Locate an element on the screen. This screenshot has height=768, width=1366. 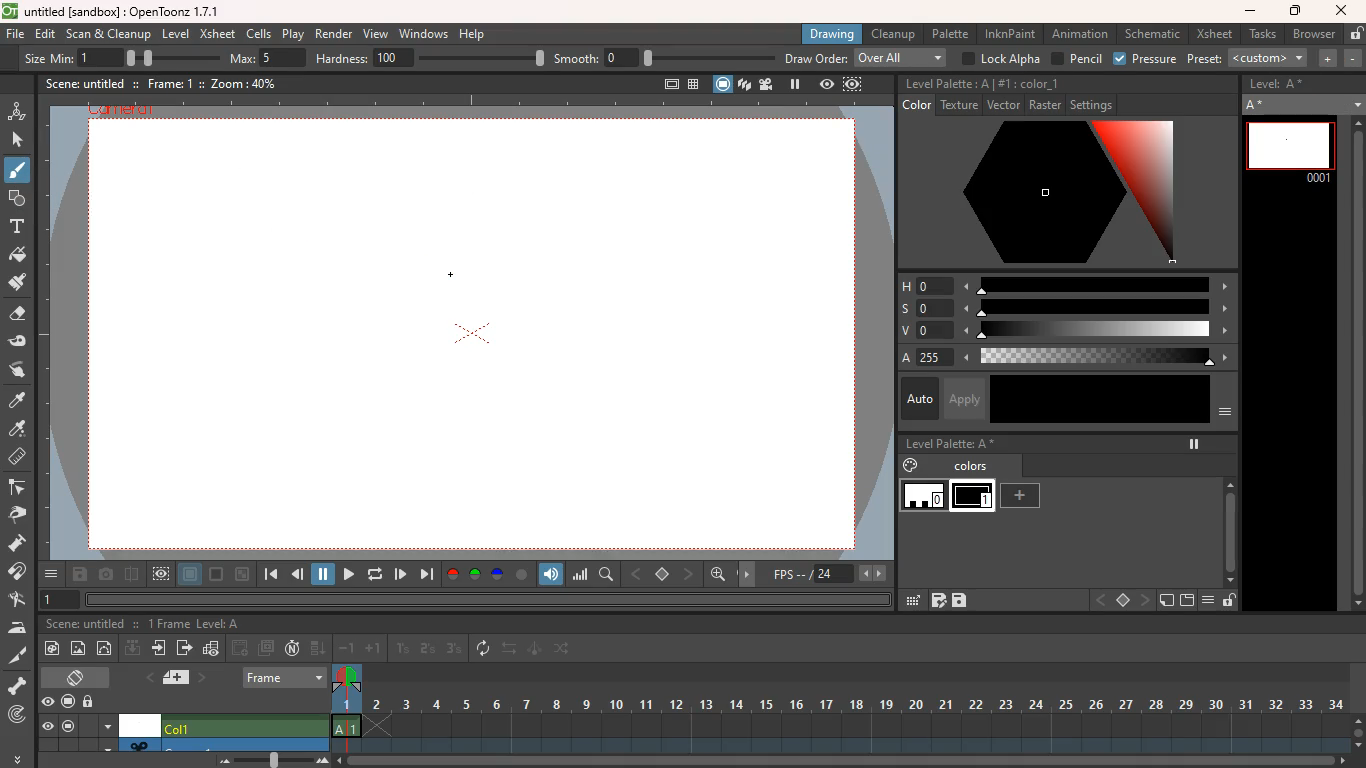
frames is located at coordinates (855, 707).